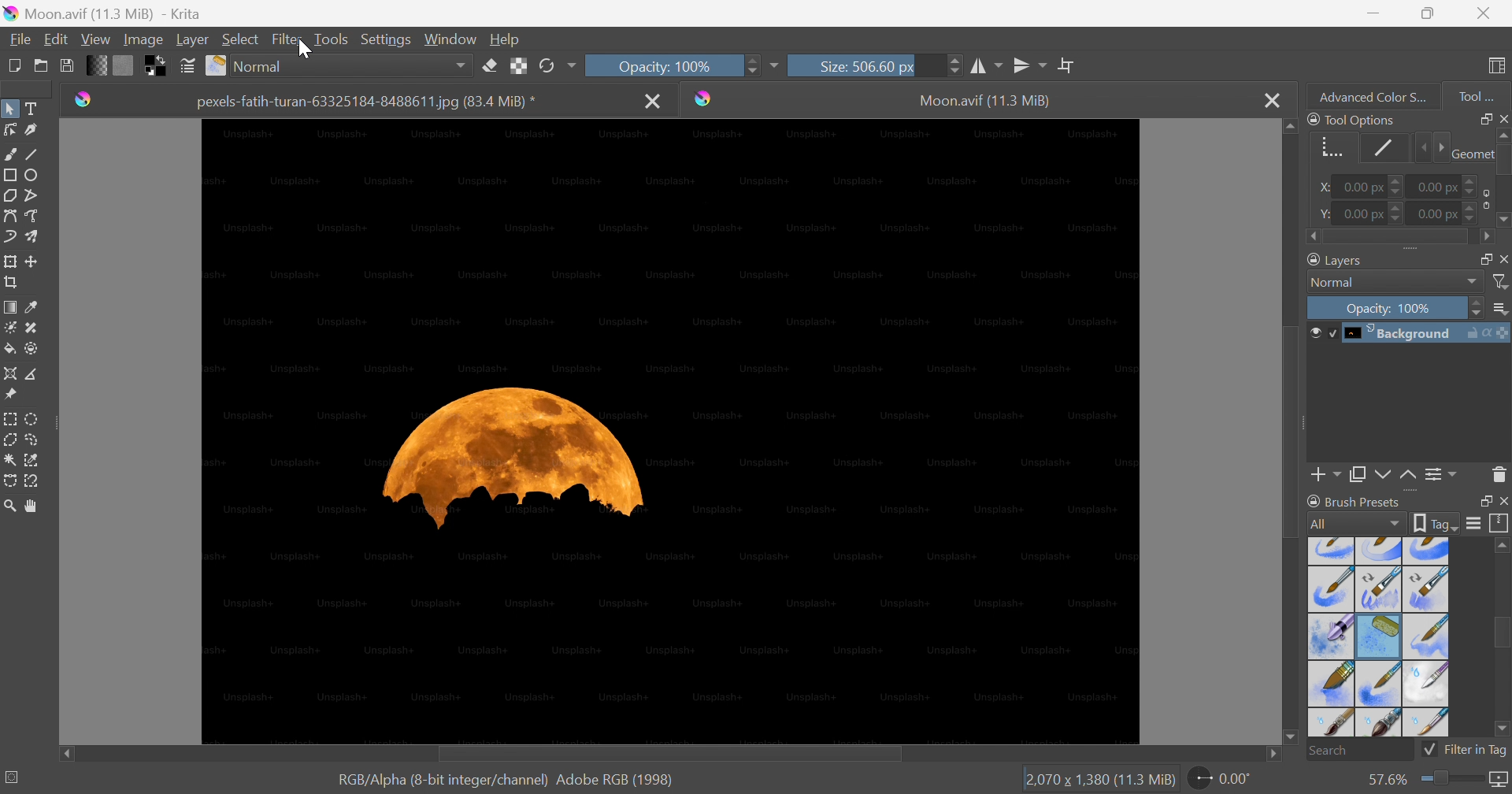  Describe the element at coordinates (1325, 187) in the screenshot. I see `x:` at that location.